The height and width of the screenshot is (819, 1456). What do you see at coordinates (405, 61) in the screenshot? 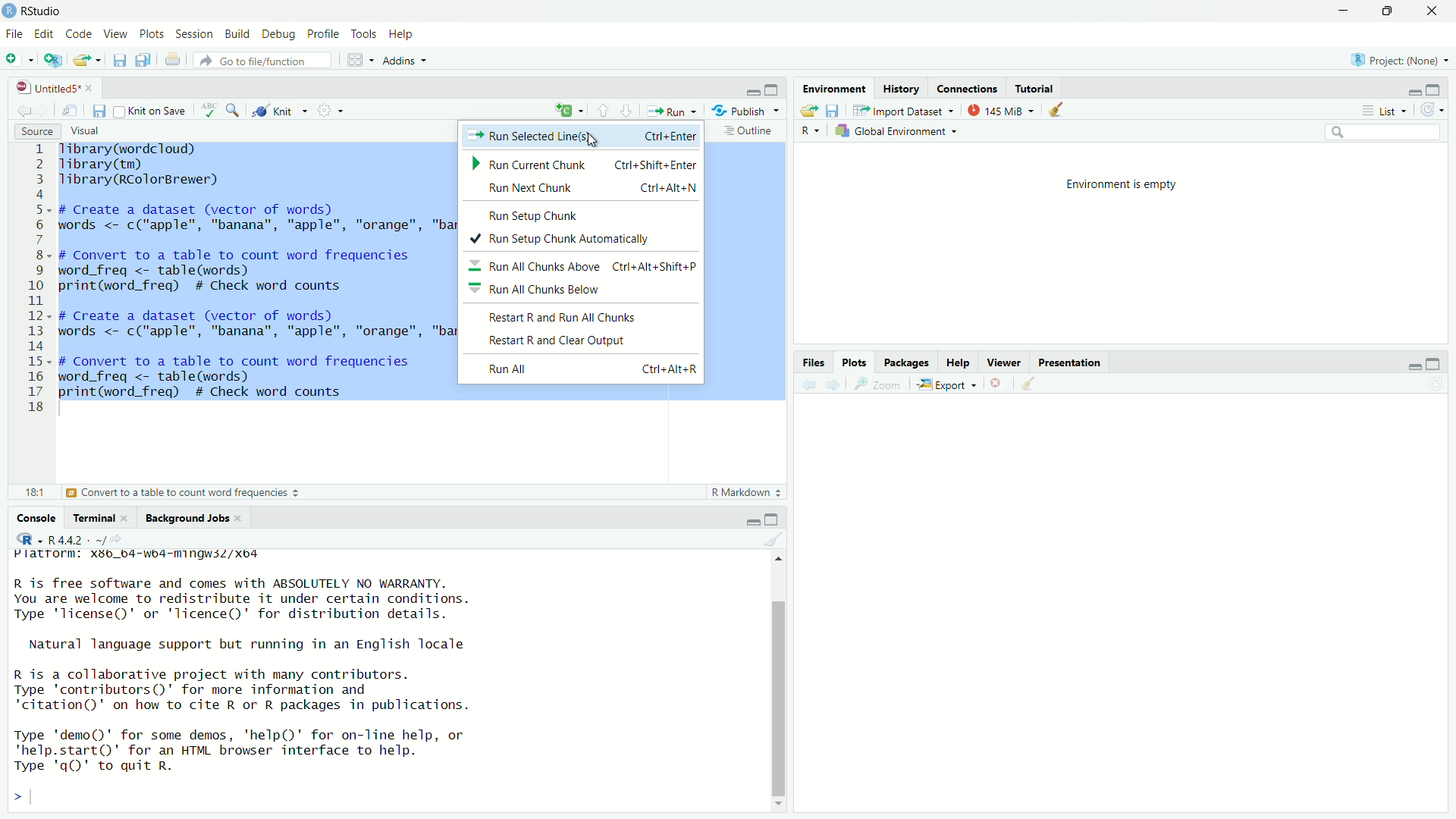
I see `Addins` at bounding box center [405, 61].